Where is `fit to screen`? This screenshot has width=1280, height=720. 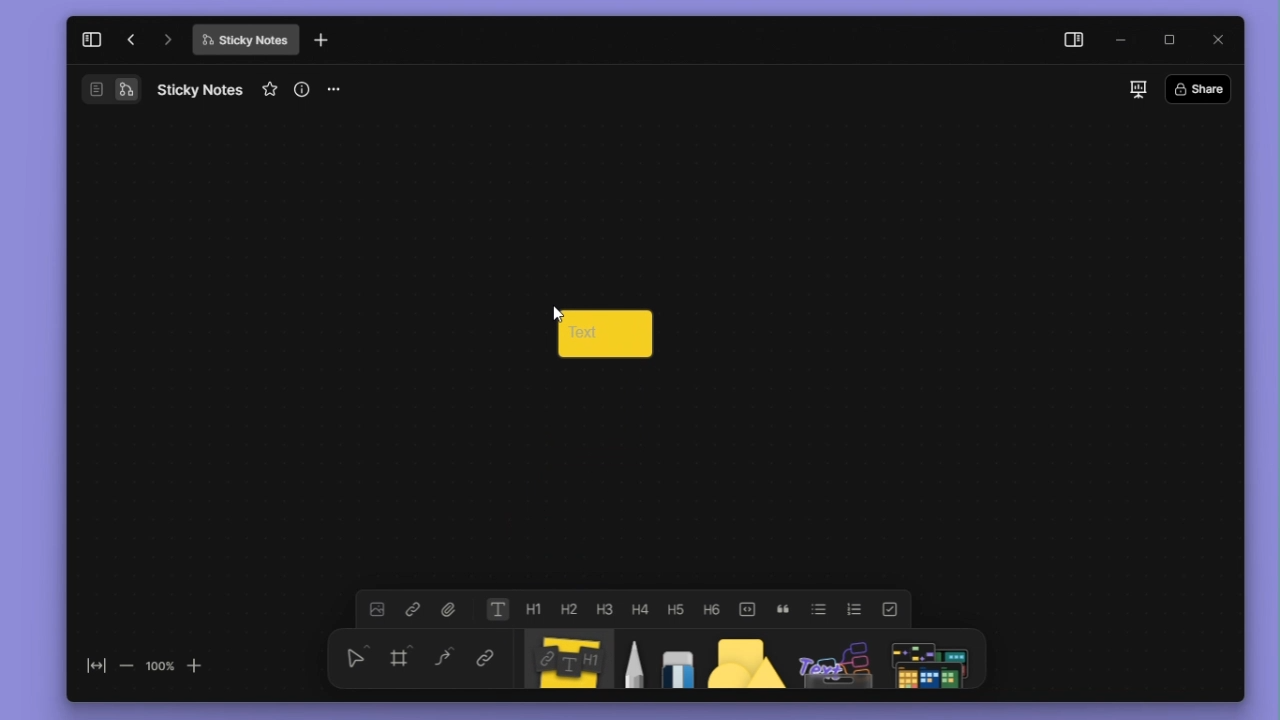 fit to screen is located at coordinates (89, 661).